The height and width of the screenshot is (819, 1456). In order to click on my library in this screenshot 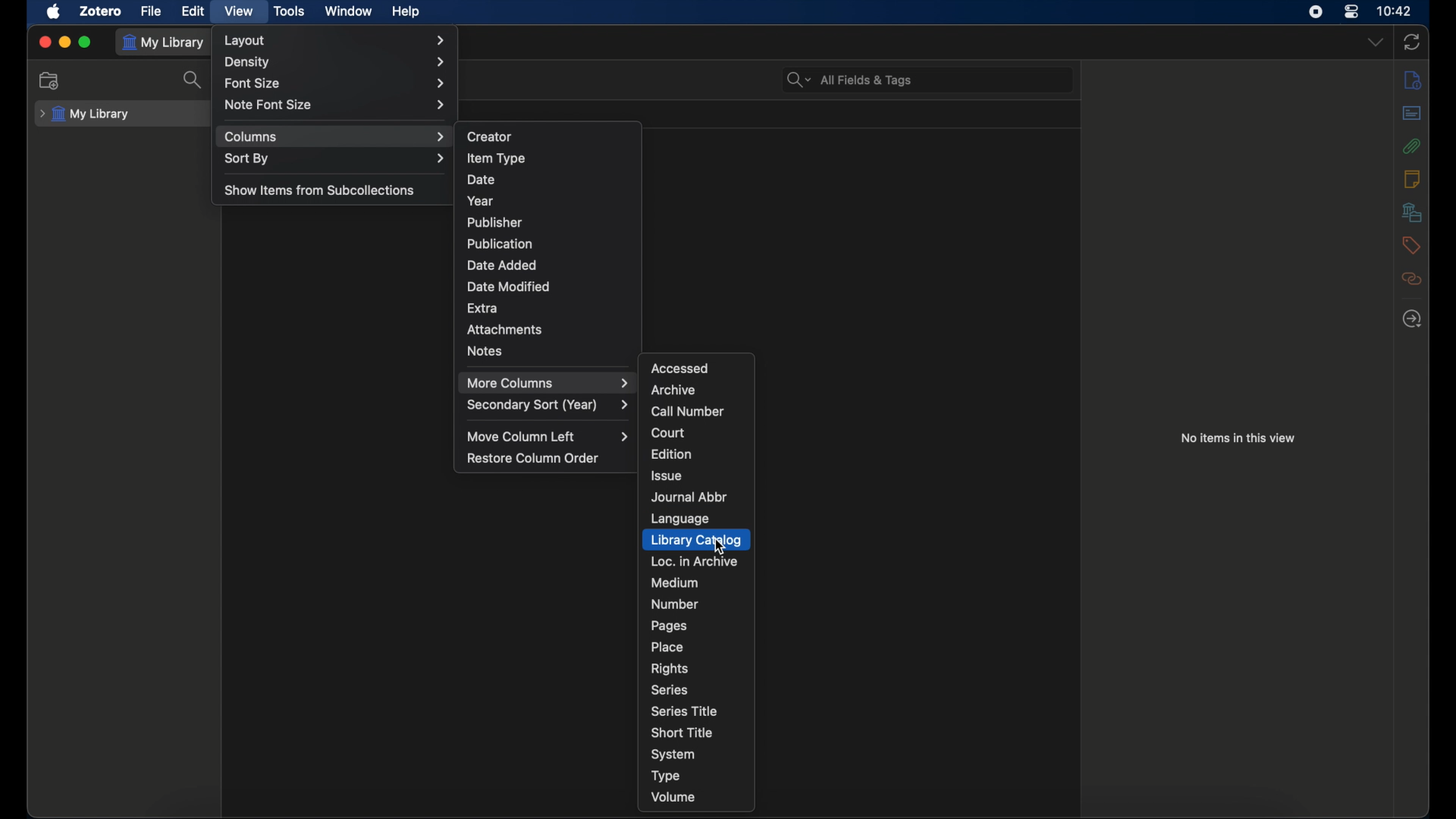, I will do `click(167, 42)`.